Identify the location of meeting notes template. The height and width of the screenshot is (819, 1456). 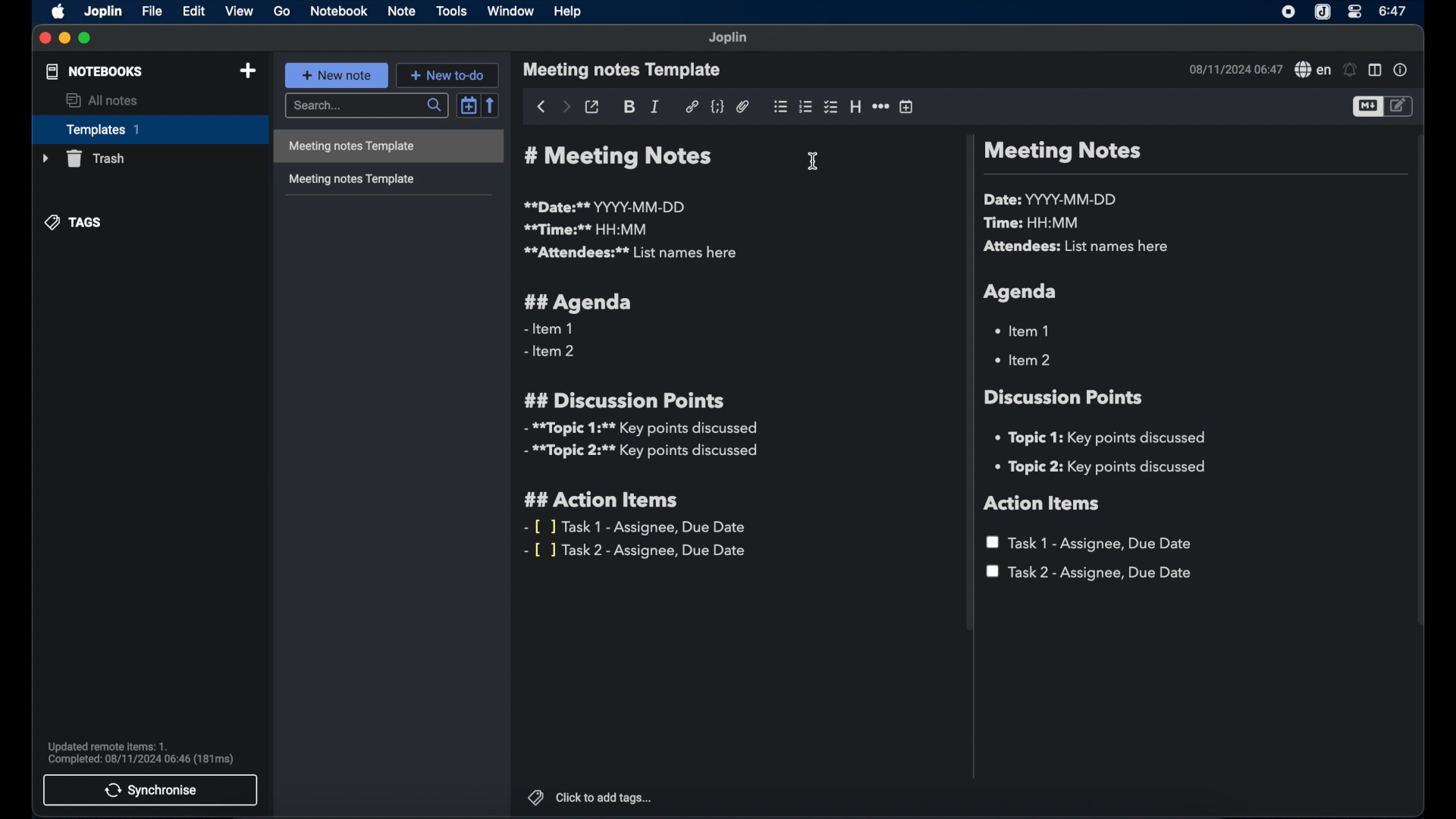
(388, 146).